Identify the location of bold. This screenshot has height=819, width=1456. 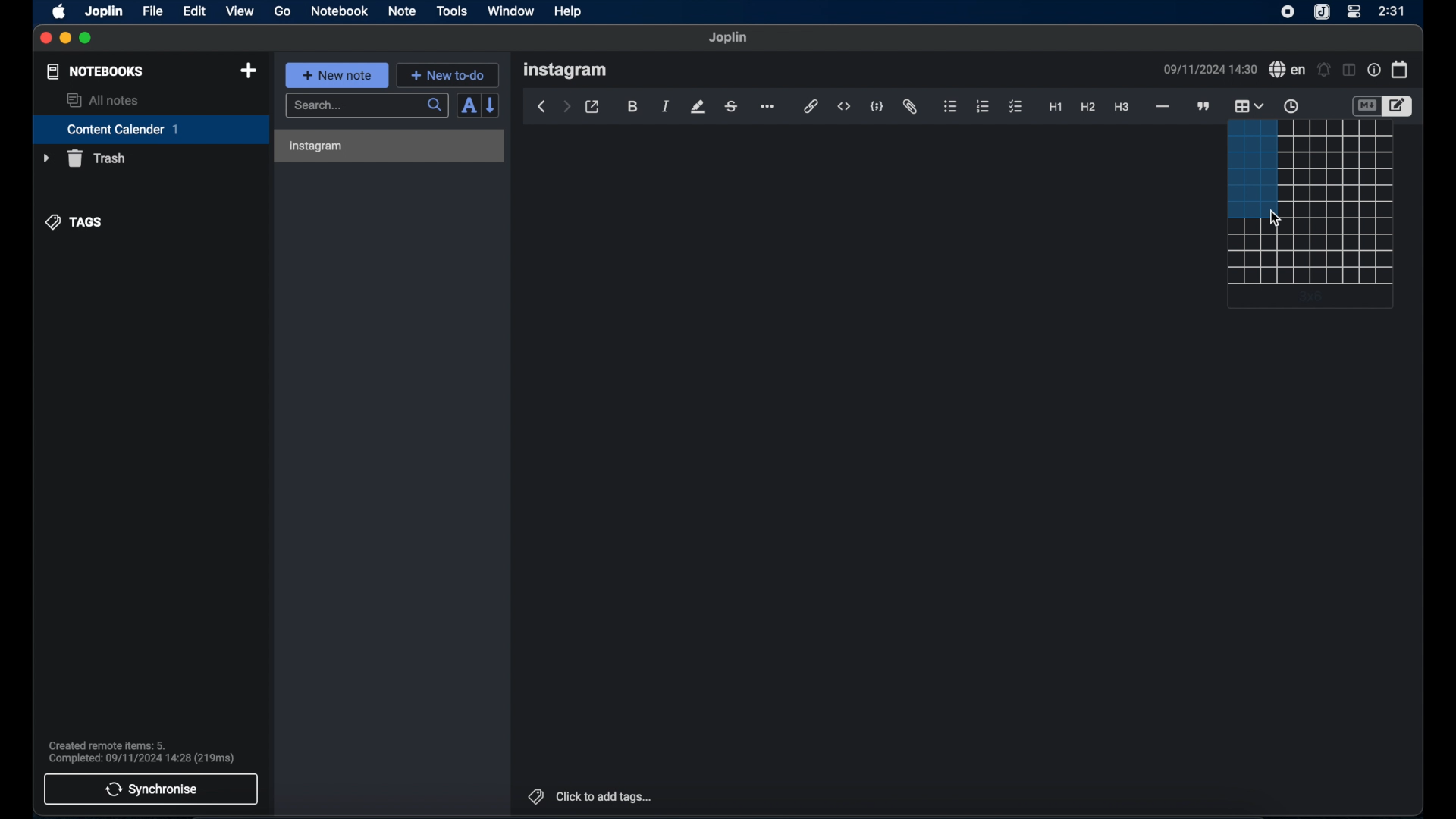
(633, 107).